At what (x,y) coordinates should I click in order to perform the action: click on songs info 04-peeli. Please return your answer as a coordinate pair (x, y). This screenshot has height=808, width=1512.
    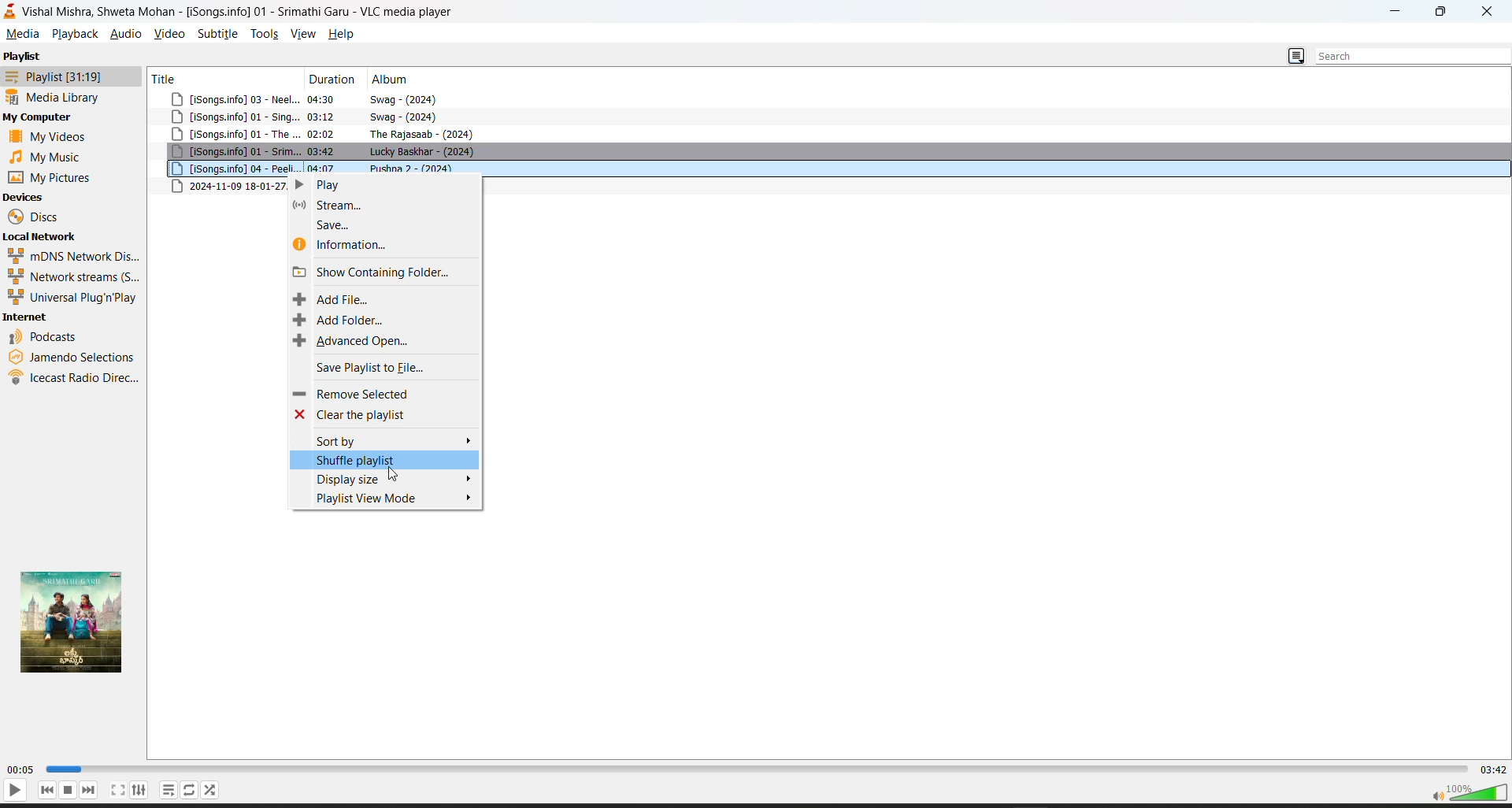
    Looking at the image, I should click on (233, 168).